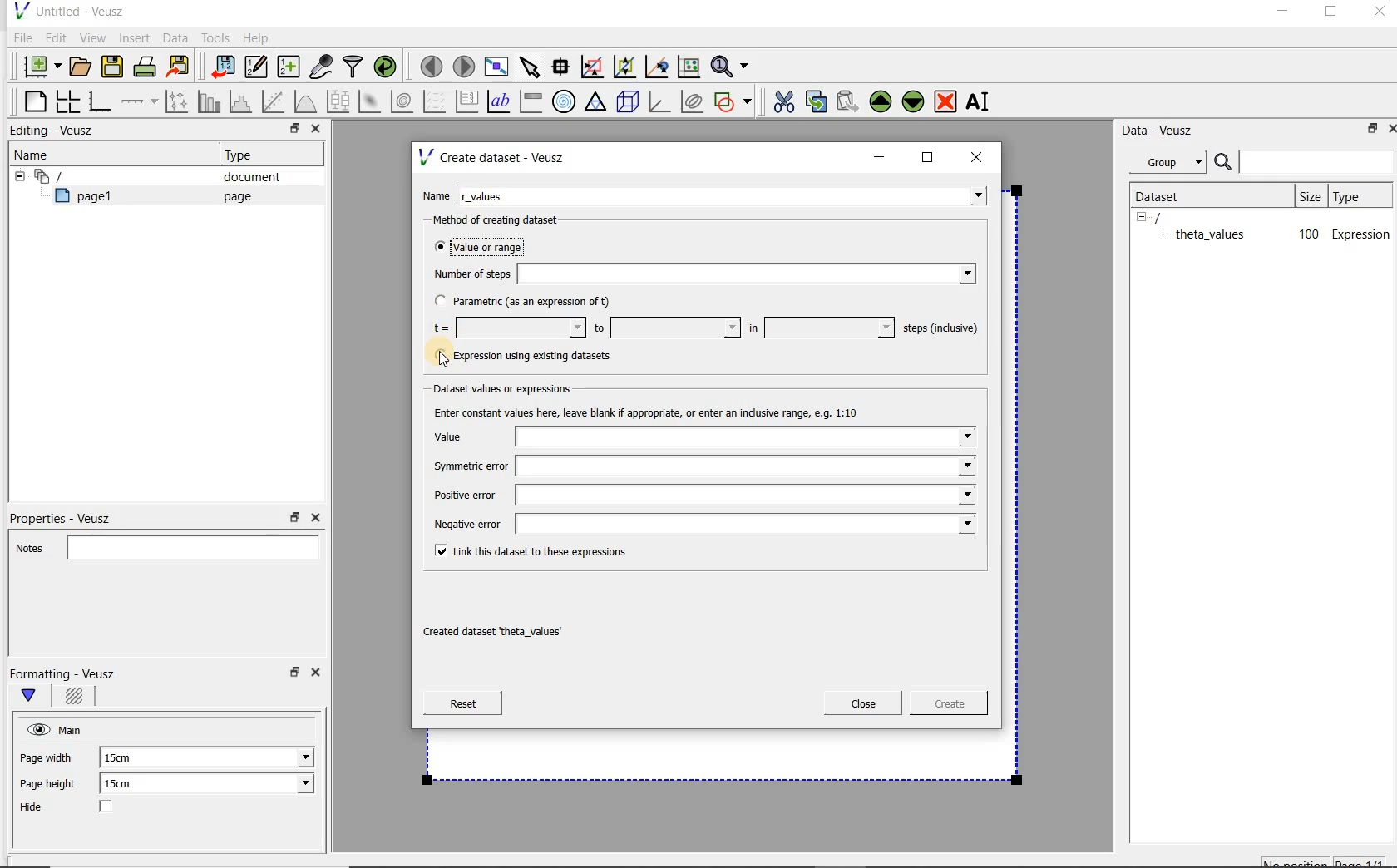 The image size is (1397, 868). I want to click on 100, so click(1307, 235).